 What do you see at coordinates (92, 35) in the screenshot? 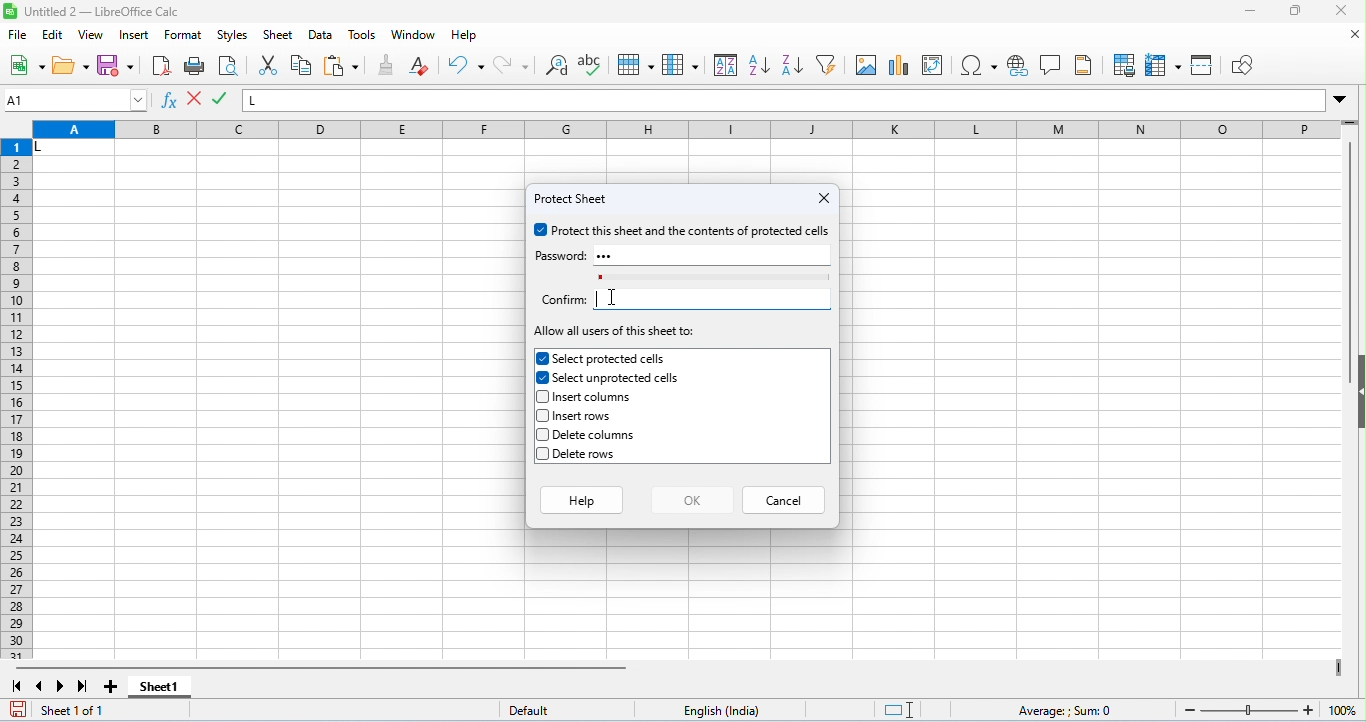
I see `view` at bounding box center [92, 35].